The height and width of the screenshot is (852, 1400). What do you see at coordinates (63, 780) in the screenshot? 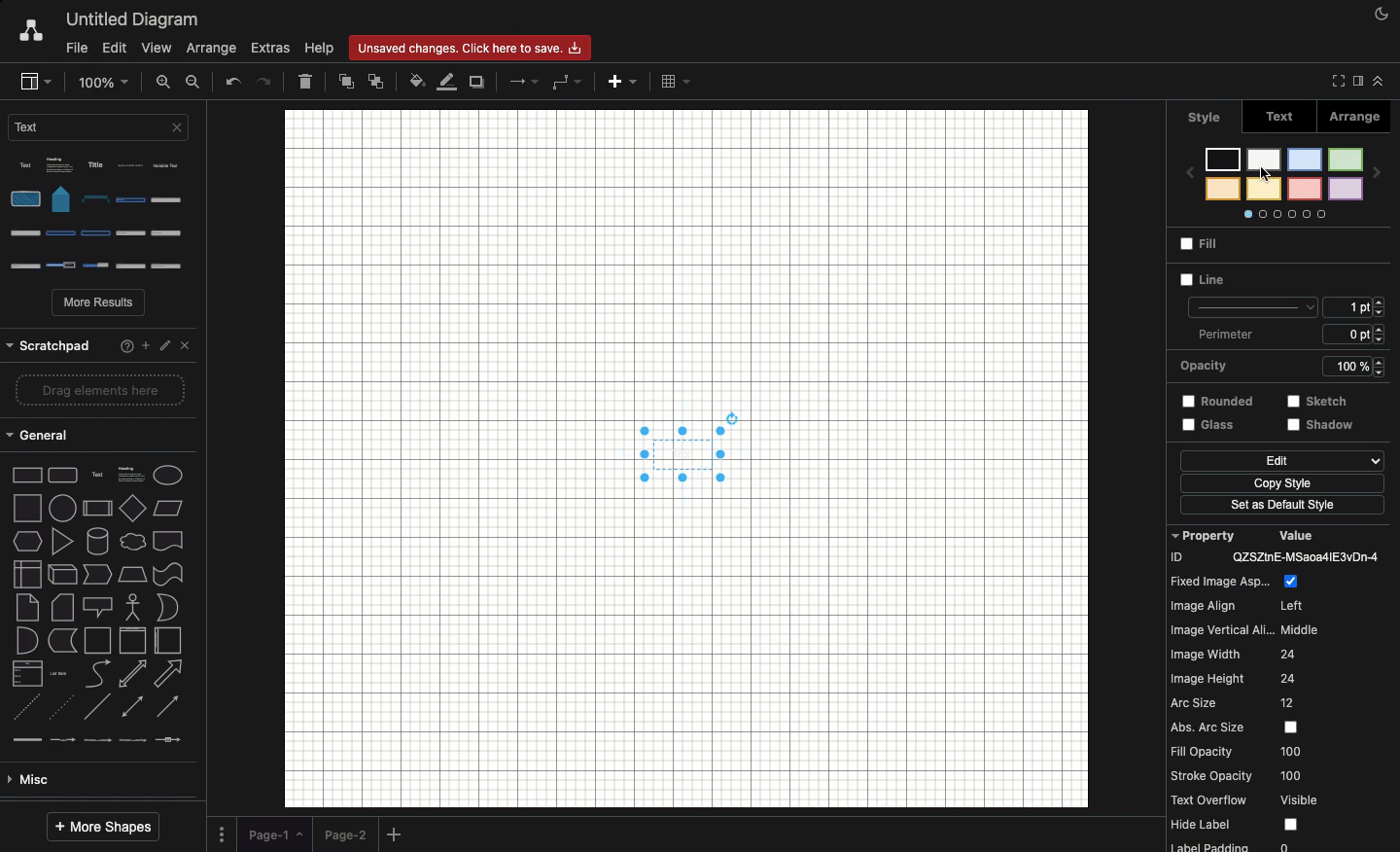
I see `Entity relation` at bounding box center [63, 780].